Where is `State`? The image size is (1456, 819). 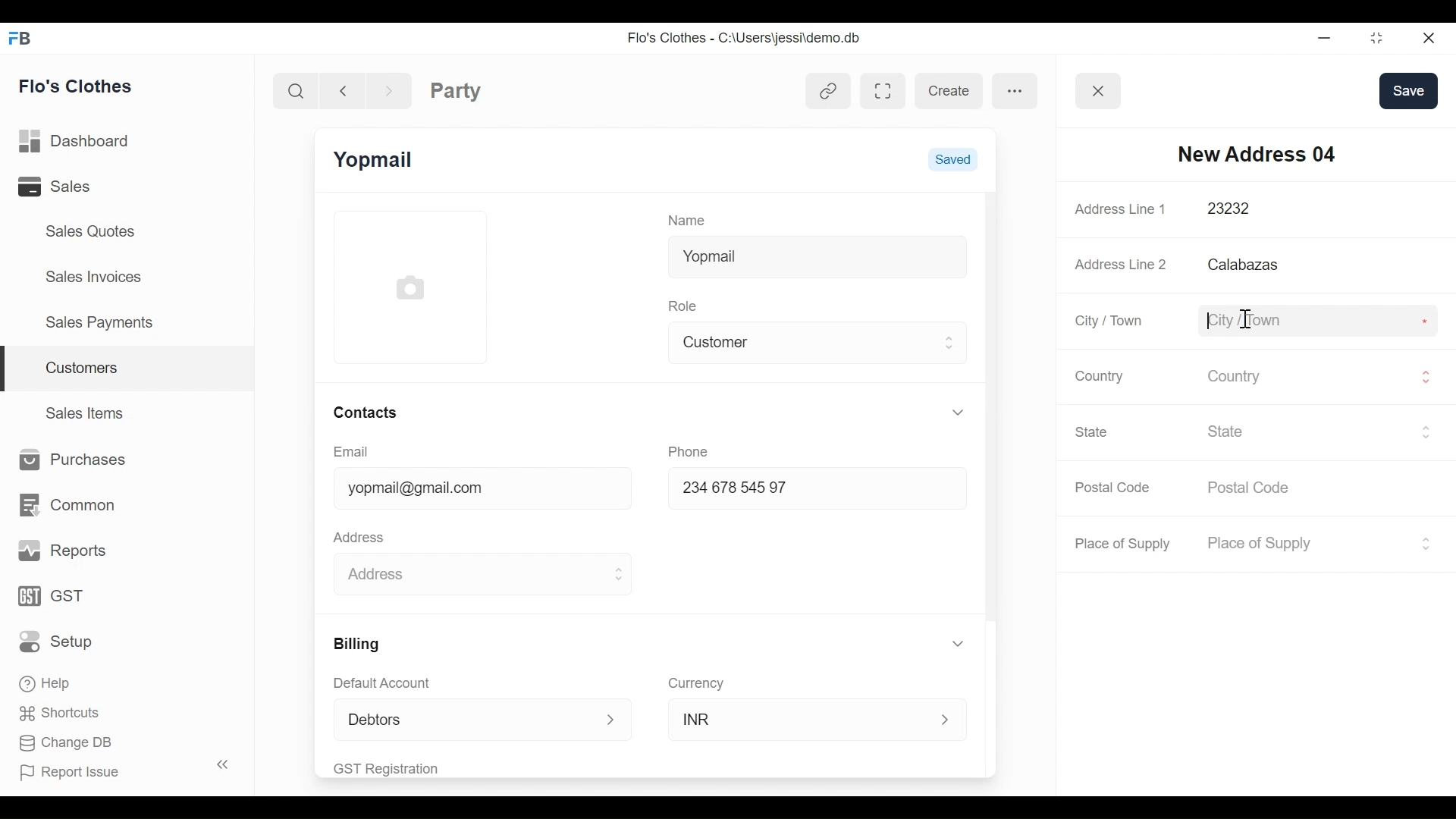
State is located at coordinates (1094, 431).